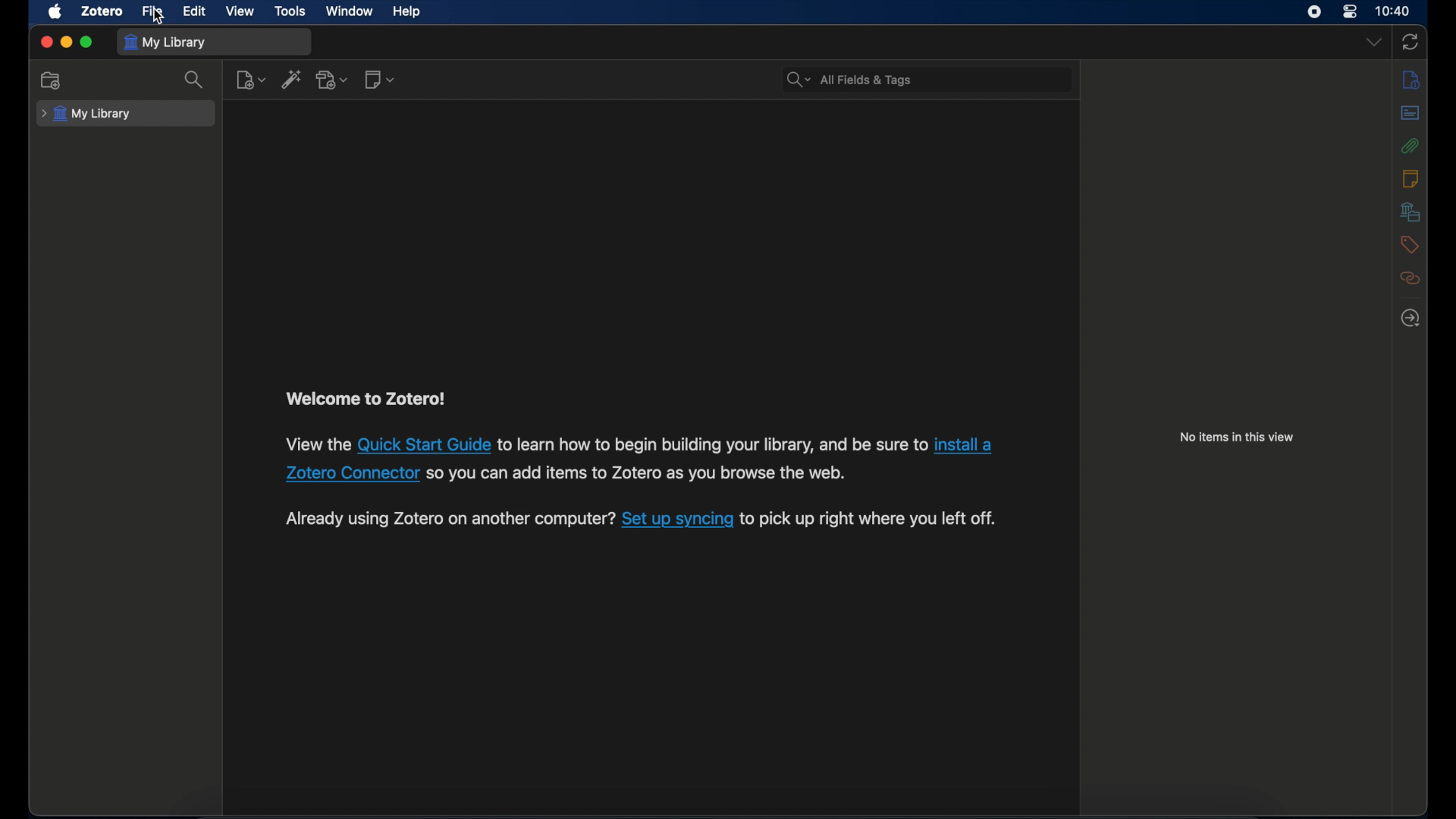  I want to click on minimize, so click(65, 42).